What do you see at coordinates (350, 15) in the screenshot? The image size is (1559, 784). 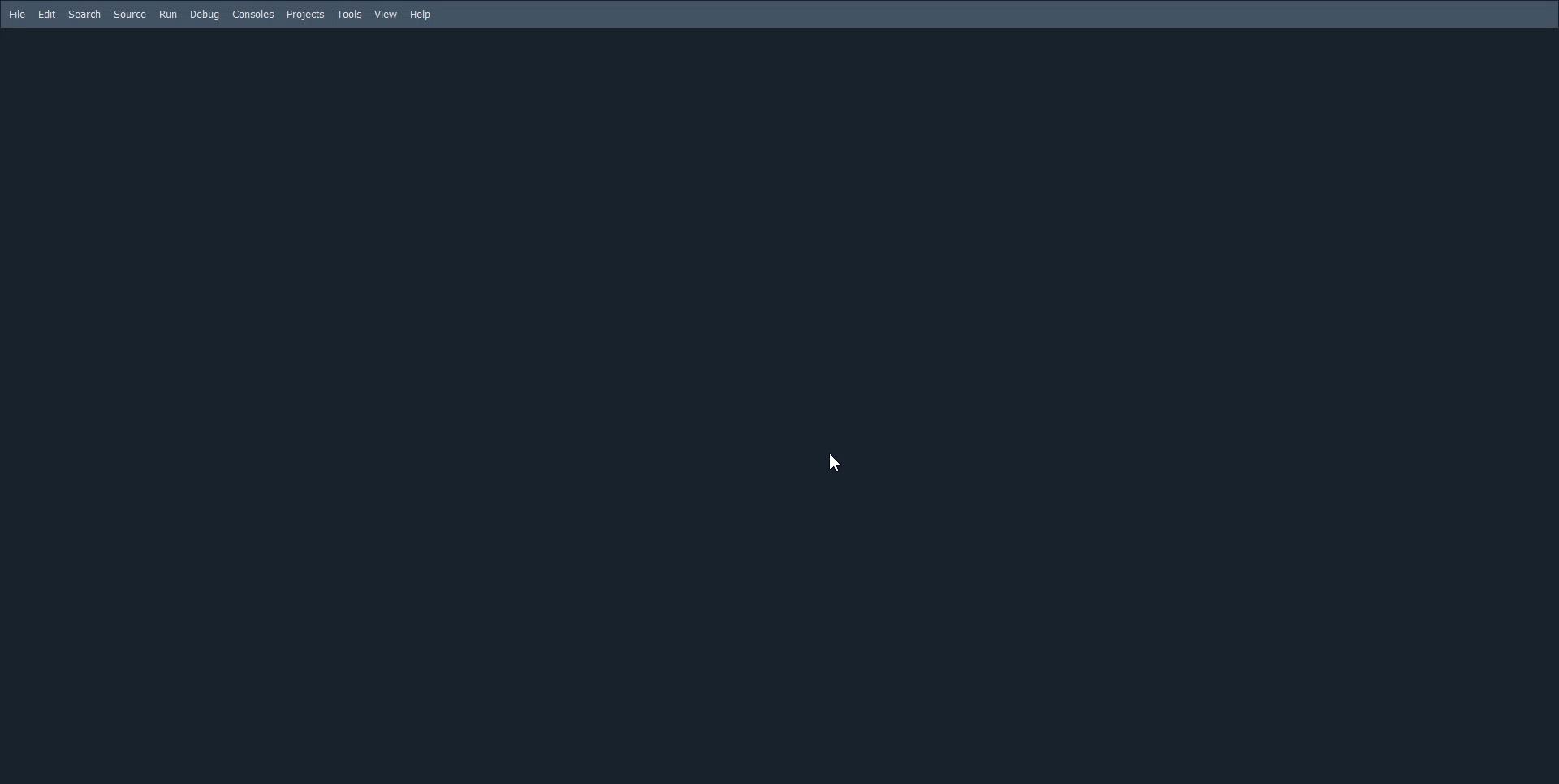 I see `Tools` at bounding box center [350, 15].